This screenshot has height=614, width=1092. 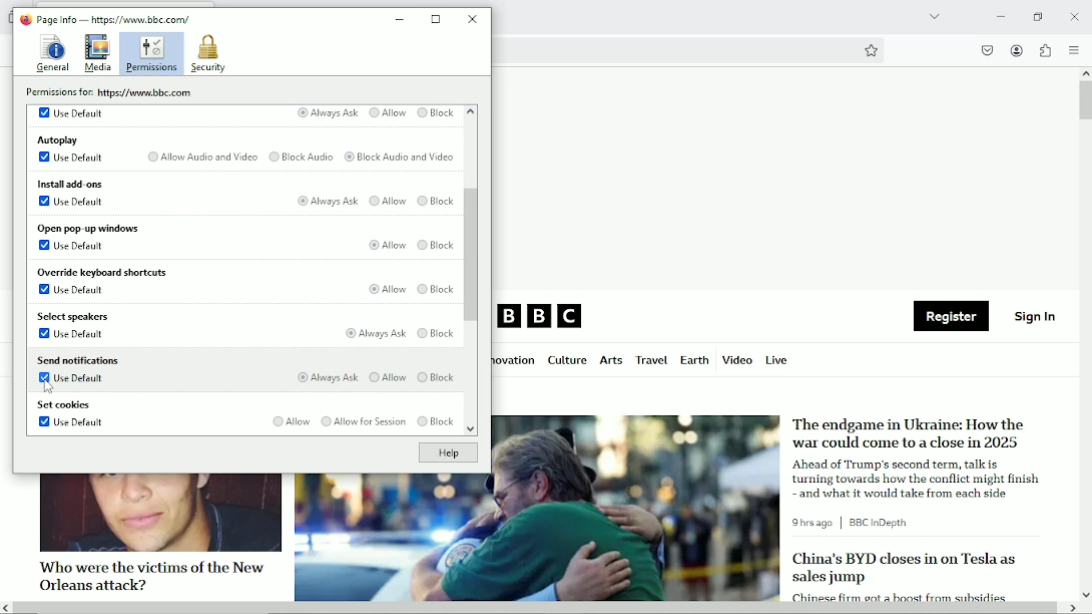 What do you see at coordinates (870, 50) in the screenshot?
I see `Bookmark this page` at bounding box center [870, 50].